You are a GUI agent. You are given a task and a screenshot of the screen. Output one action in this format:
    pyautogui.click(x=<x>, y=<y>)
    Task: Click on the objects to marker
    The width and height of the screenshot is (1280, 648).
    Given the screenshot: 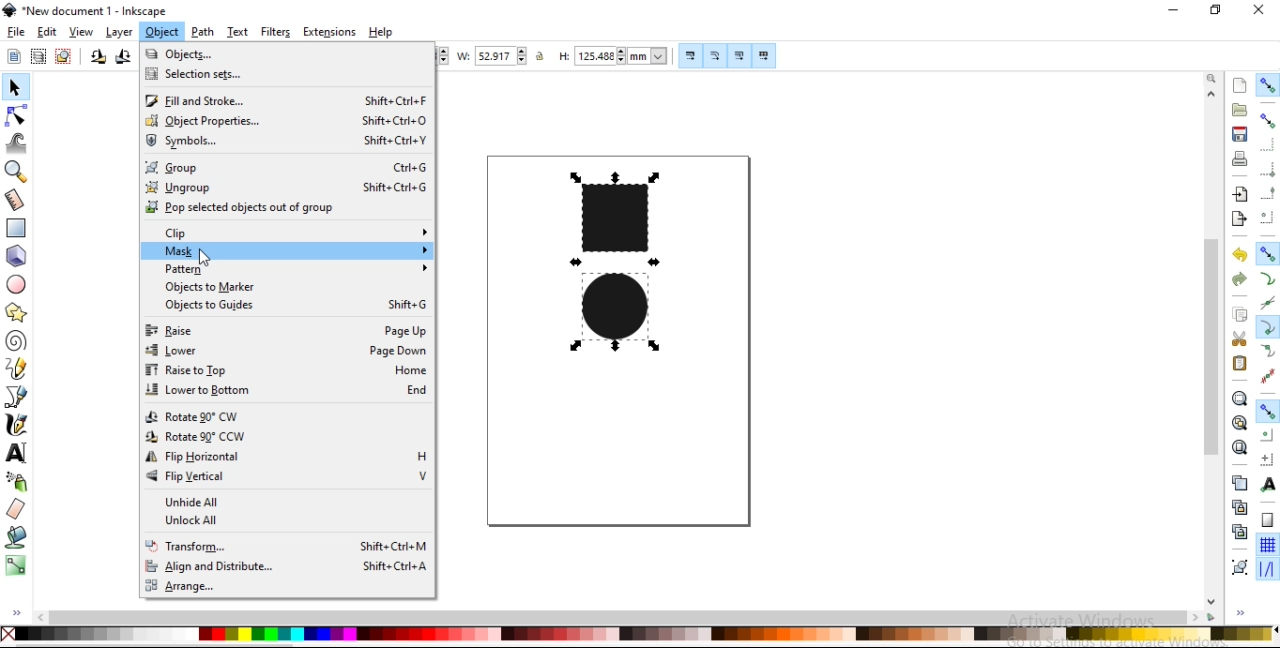 What is the action you would take?
    pyautogui.click(x=289, y=288)
    